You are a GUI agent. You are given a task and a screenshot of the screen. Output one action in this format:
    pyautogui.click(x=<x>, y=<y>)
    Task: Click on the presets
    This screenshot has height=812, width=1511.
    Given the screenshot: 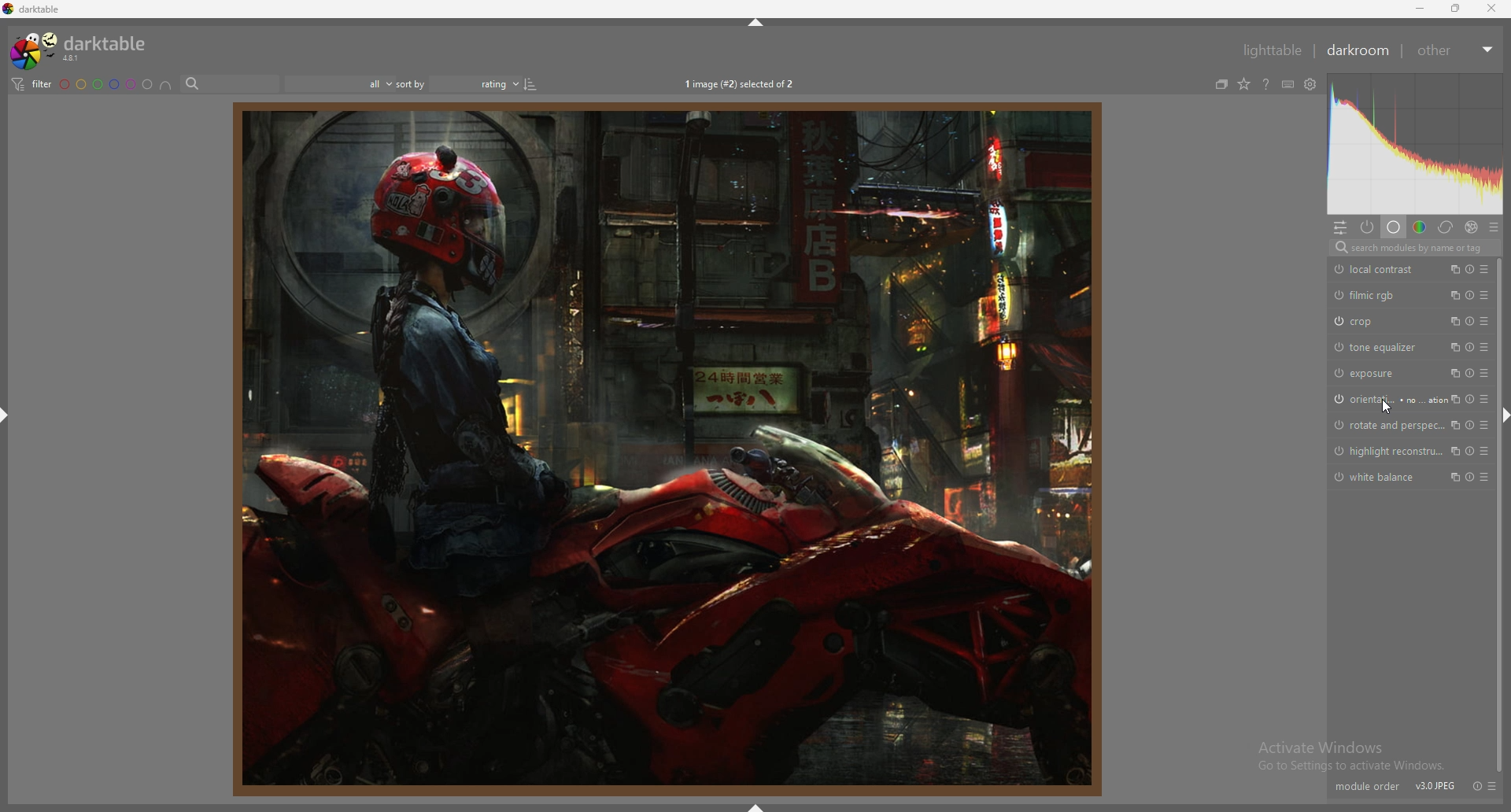 What is the action you would take?
    pyautogui.click(x=1484, y=451)
    